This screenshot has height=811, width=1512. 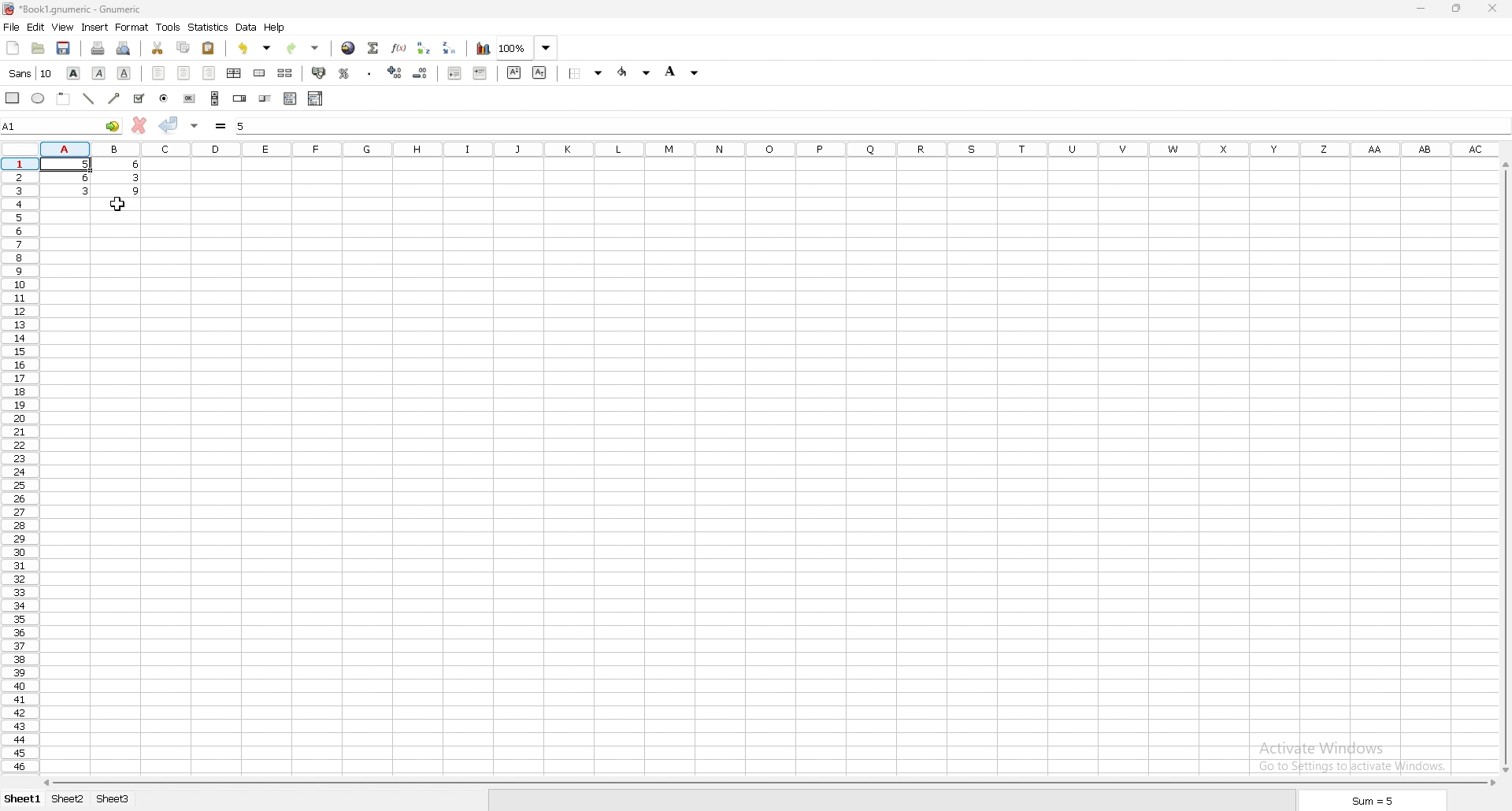 I want to click on print preview, so click(x=124, y=47).